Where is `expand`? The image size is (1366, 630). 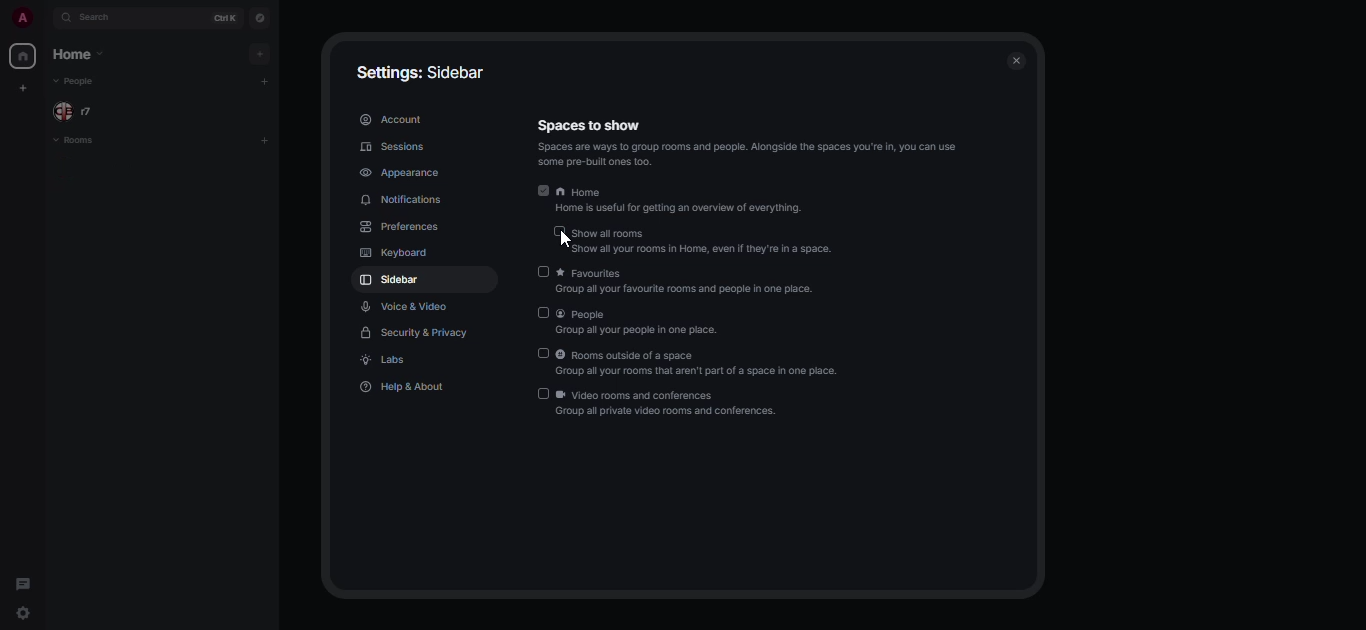
expand is located at coordinates (47, 22).